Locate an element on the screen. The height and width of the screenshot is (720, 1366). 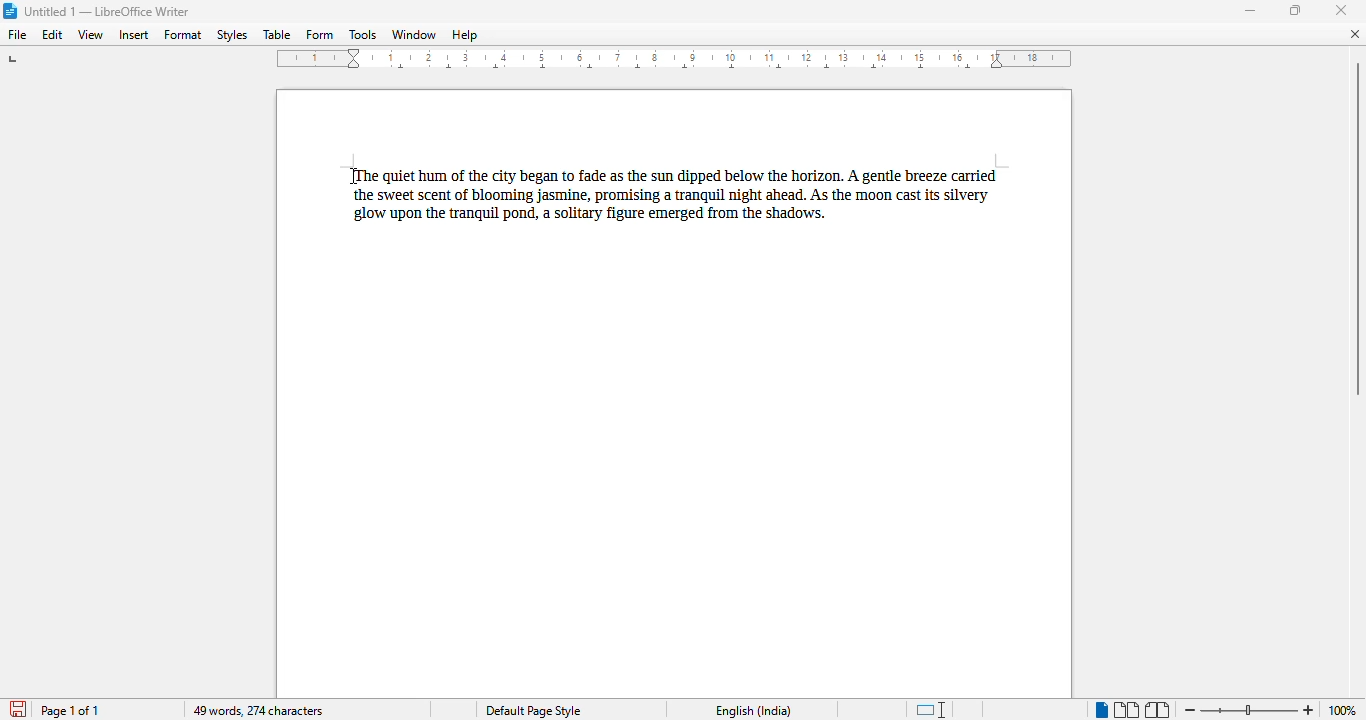
zoom in or zoom out bar is located at coordinates (1248, 711).